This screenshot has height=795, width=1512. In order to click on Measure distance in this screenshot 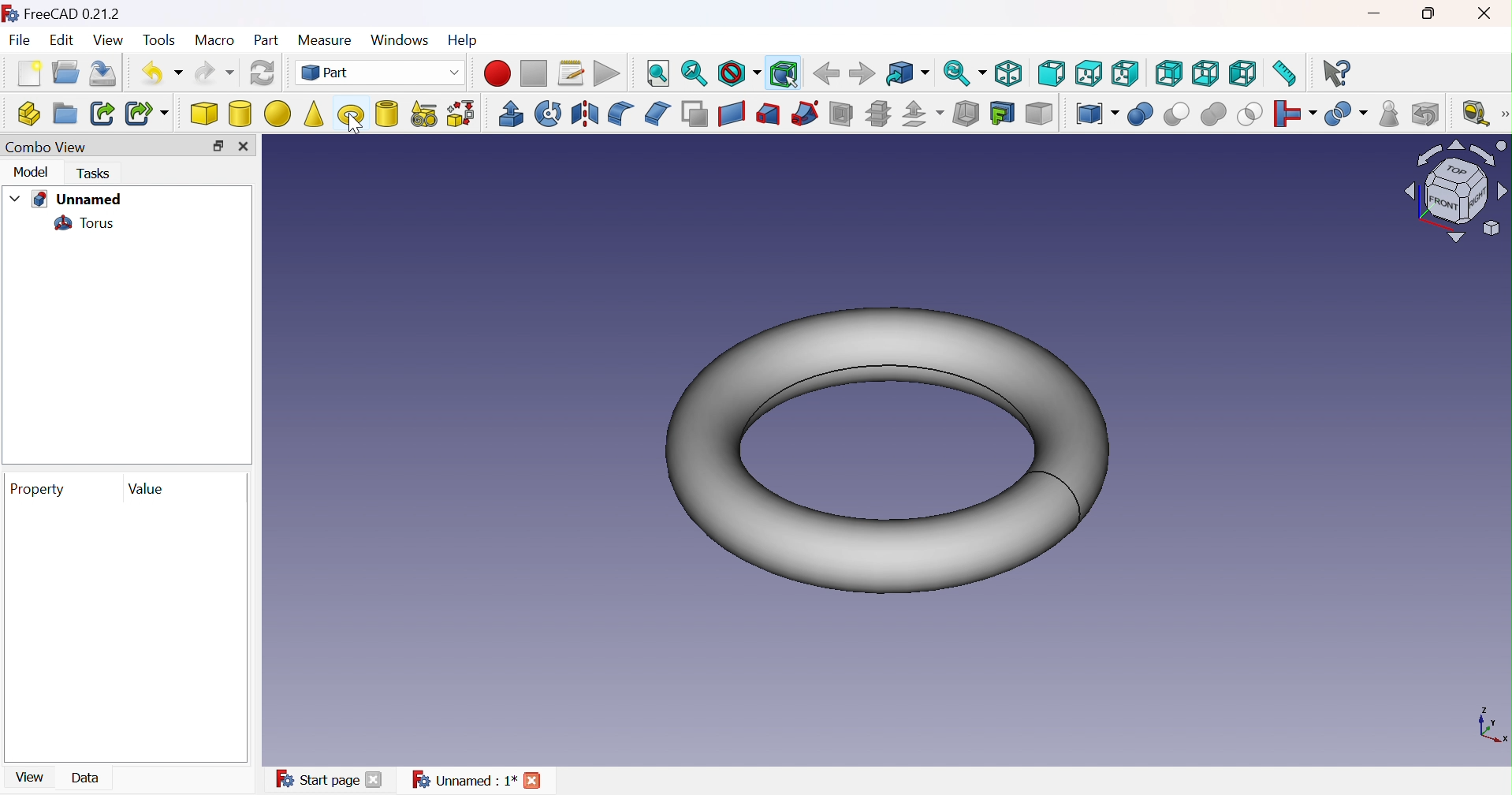, I will do `click(1289, 73)`.